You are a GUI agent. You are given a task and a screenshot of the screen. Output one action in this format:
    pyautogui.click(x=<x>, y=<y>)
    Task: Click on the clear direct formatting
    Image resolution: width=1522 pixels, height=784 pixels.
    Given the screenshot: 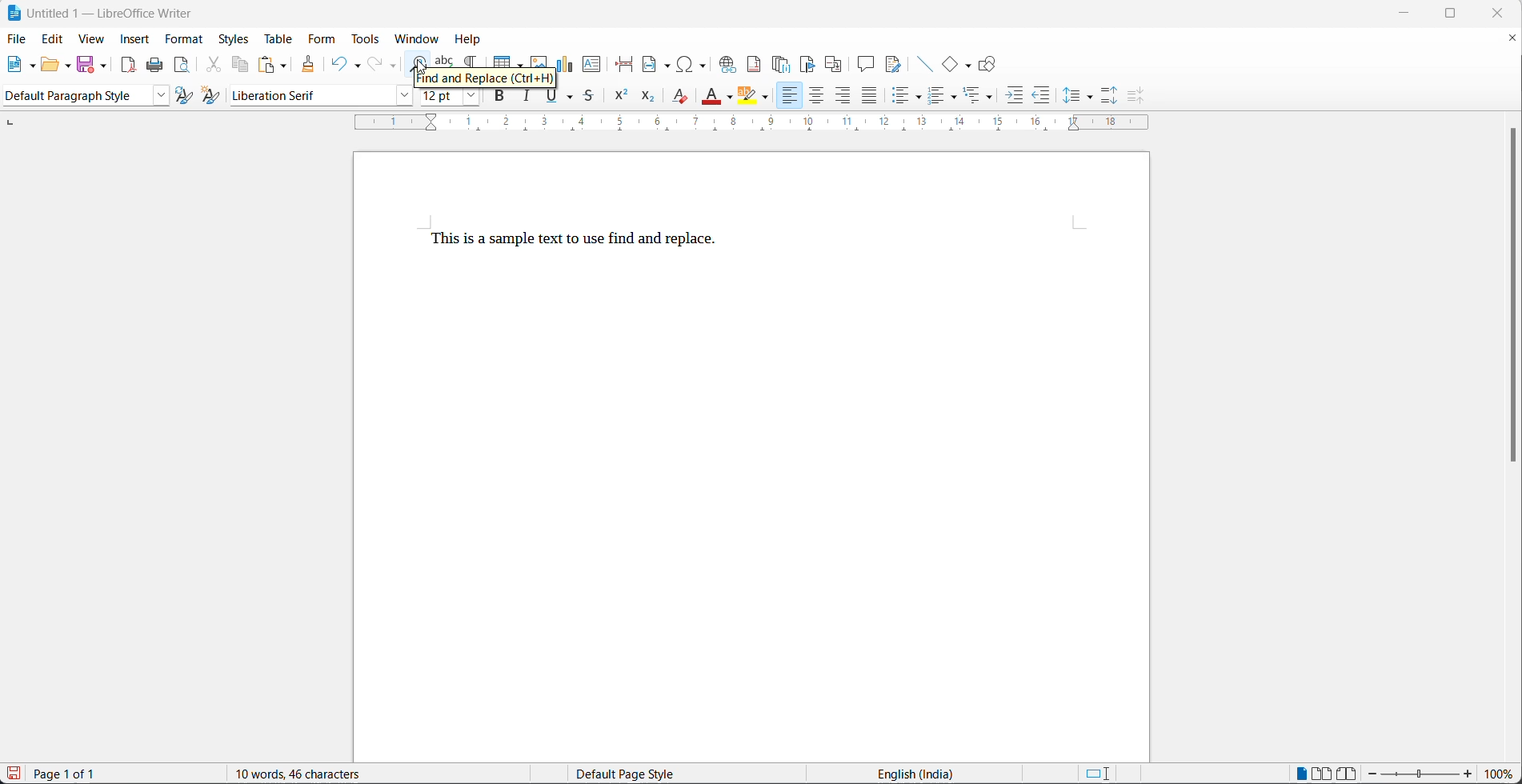 What is the action you would take?
    pyautogui.click(x=679, y=99)
    